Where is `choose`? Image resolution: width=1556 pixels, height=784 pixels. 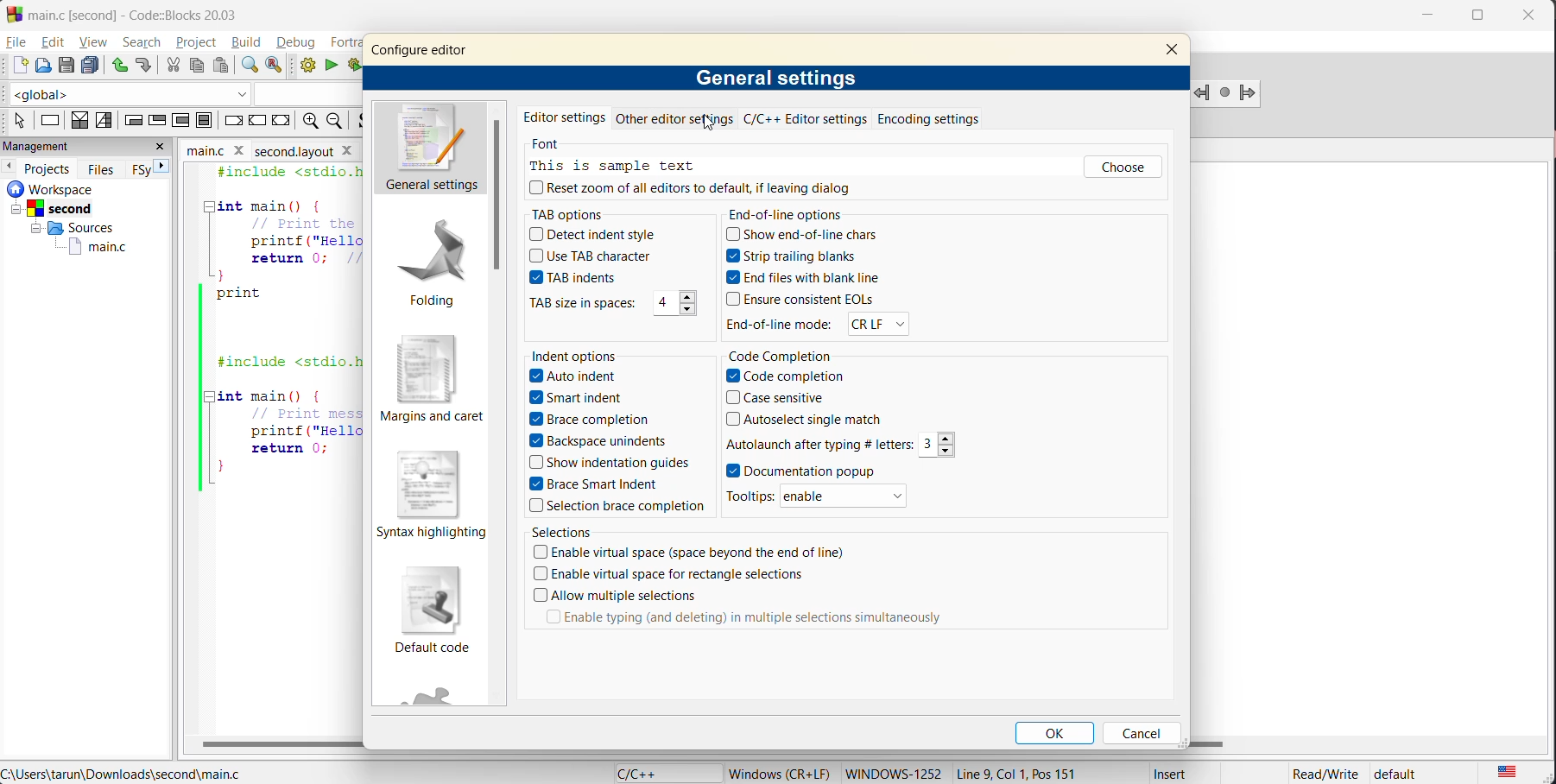
choose is located at coordinates (1120, 167).